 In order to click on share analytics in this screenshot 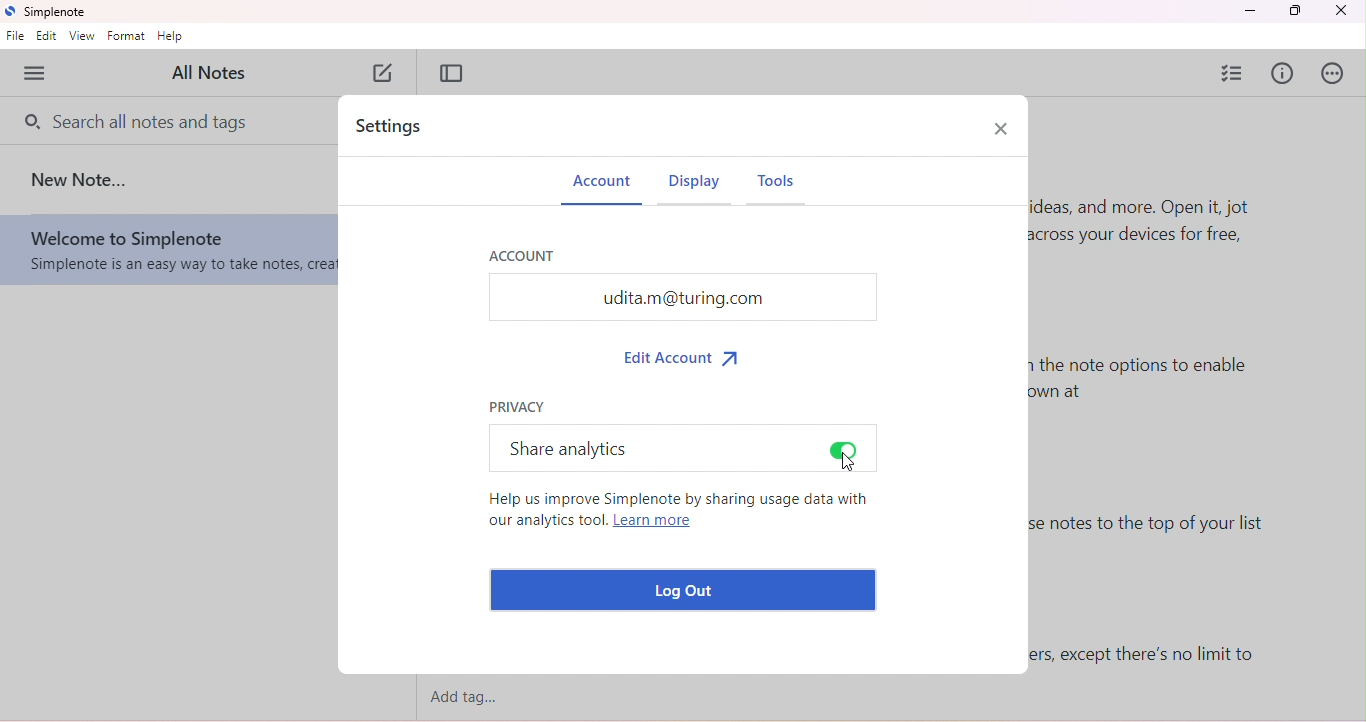, I will do `click(565, 447)`.